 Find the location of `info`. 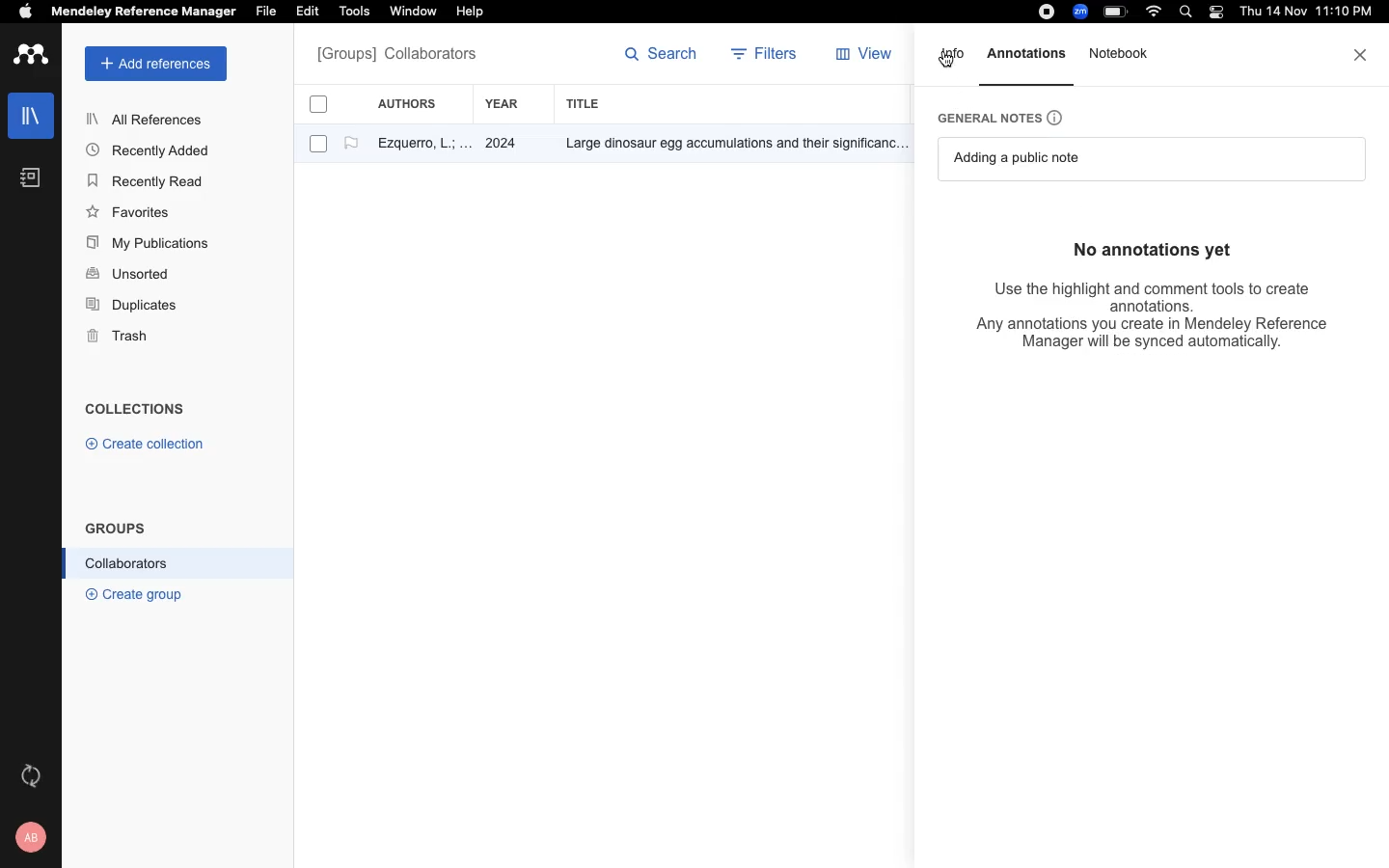

info is located at coordinates (954, 60).